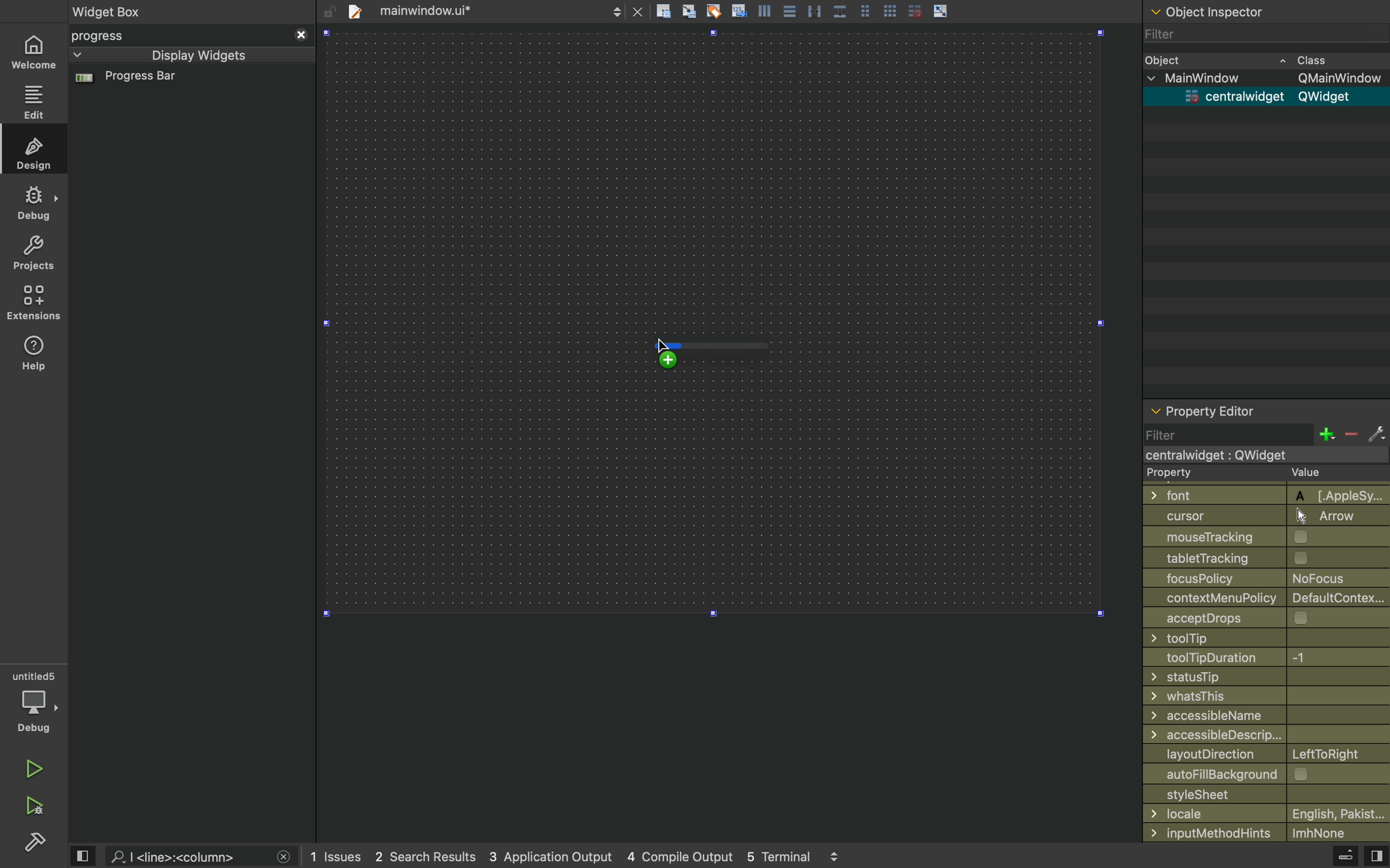 The image size is (1390, 868). I want to click on autofillbackground, so click(1269, 774).